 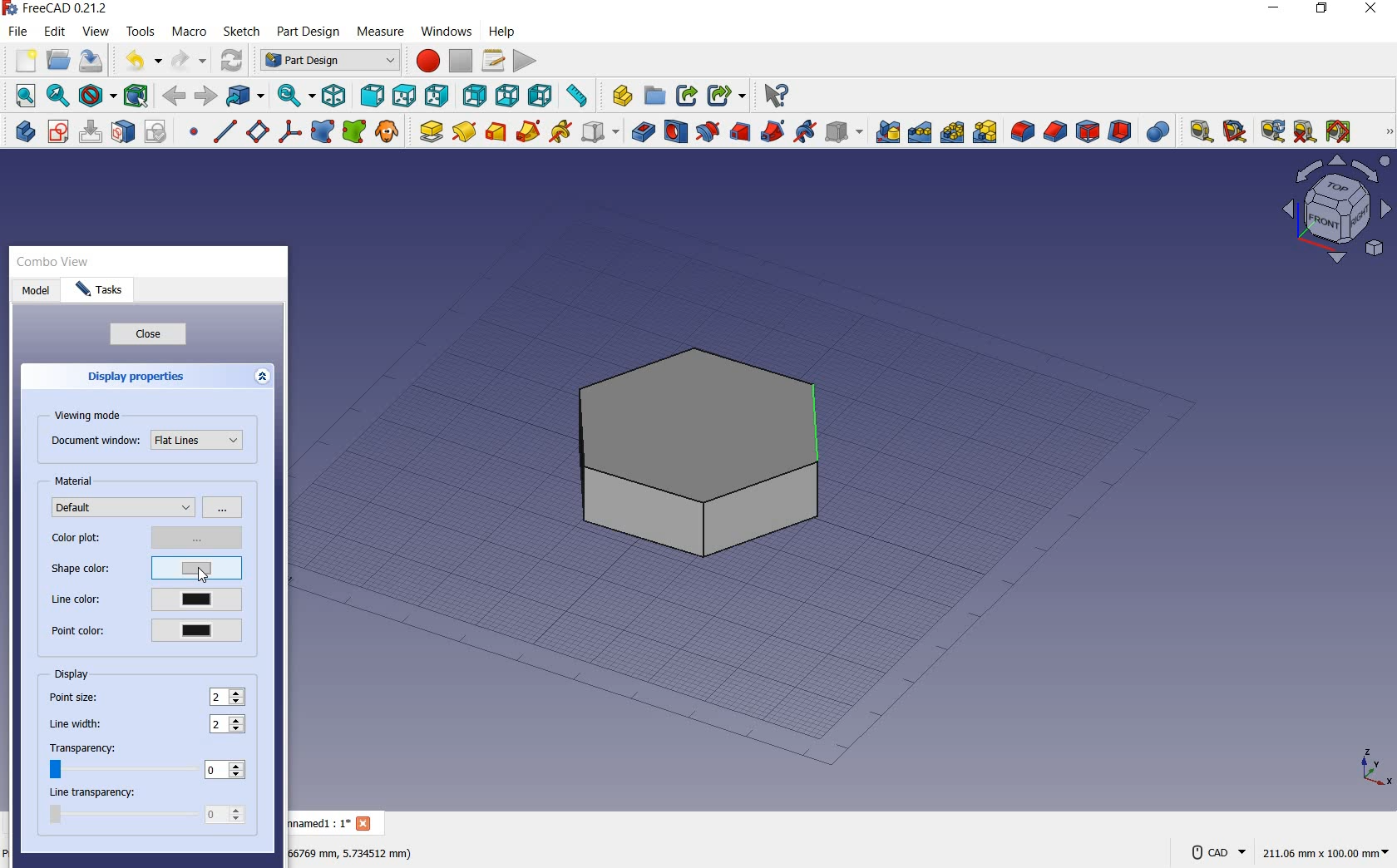 I want to click on CLOSE, so click(x=1373, y=8).